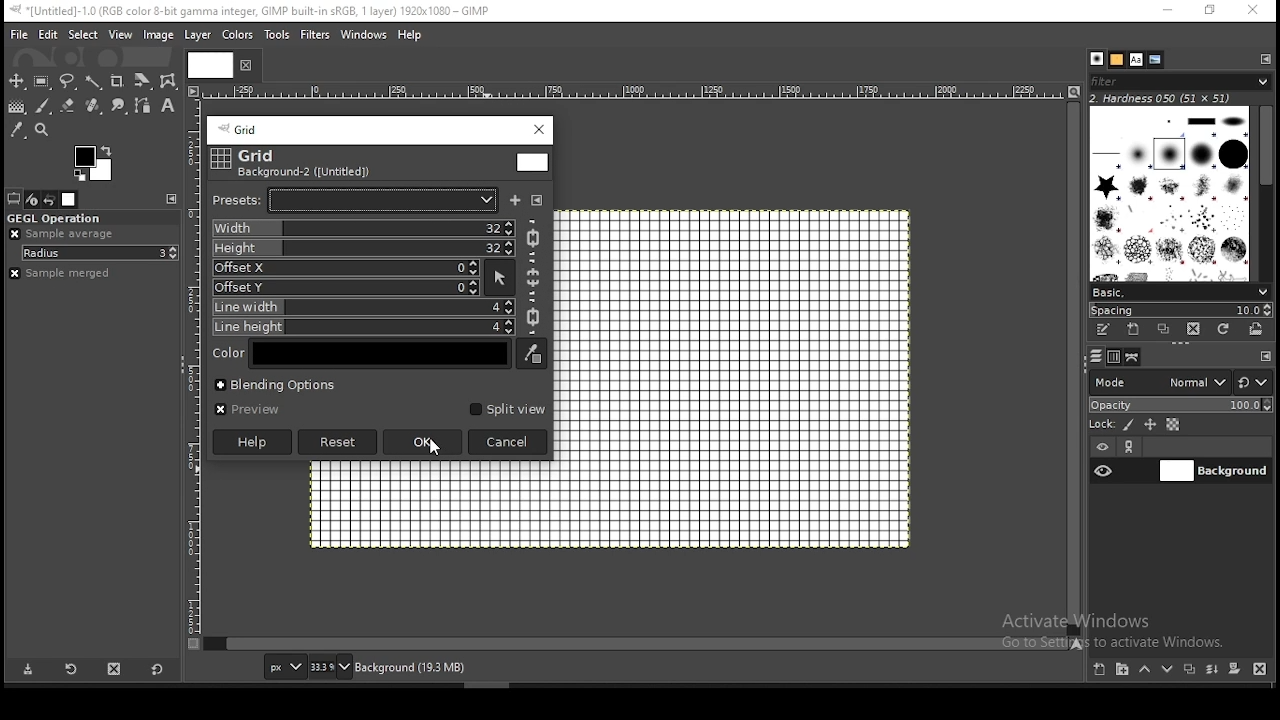  I want to click on constraint proportions, so click(533, 318).